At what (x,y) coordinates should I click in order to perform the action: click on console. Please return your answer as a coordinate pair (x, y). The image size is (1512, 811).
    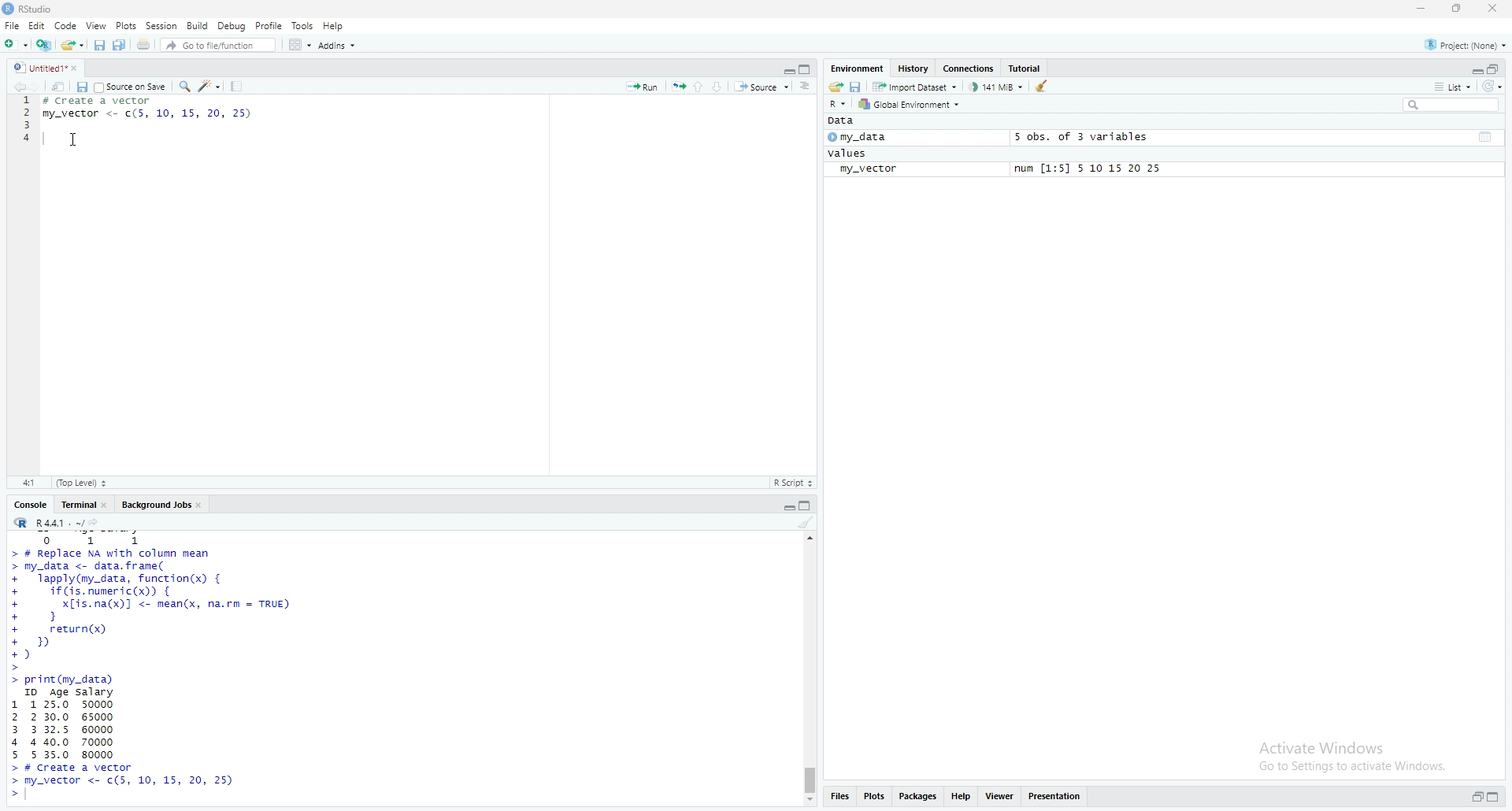
    Looking at the image, I should click on (31, 505).